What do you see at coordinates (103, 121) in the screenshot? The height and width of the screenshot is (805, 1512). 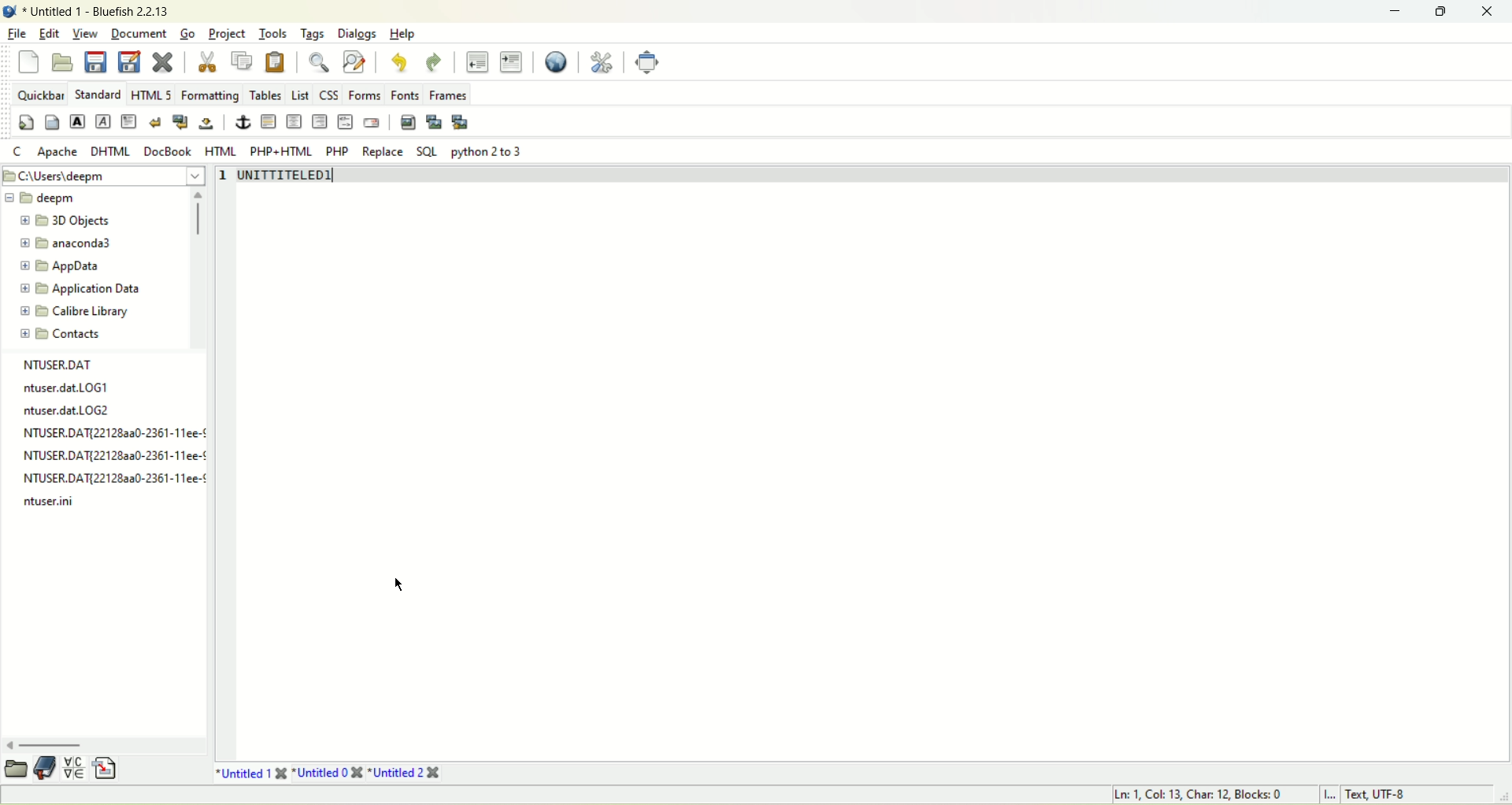 I see `emphasized` at bounding box center [103, 121].